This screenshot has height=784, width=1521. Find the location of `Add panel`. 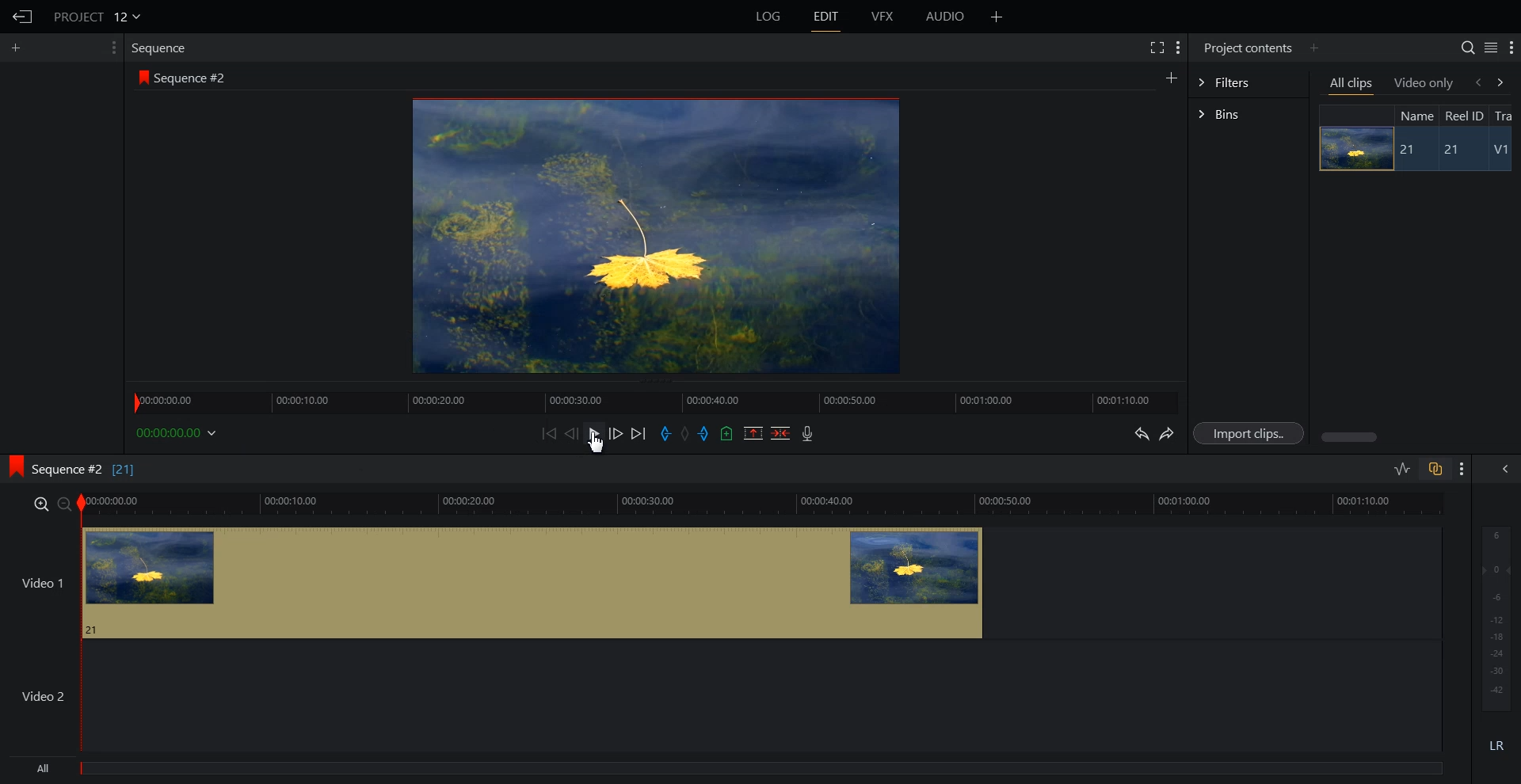

Add panel is located at coordinates (1313, 48).